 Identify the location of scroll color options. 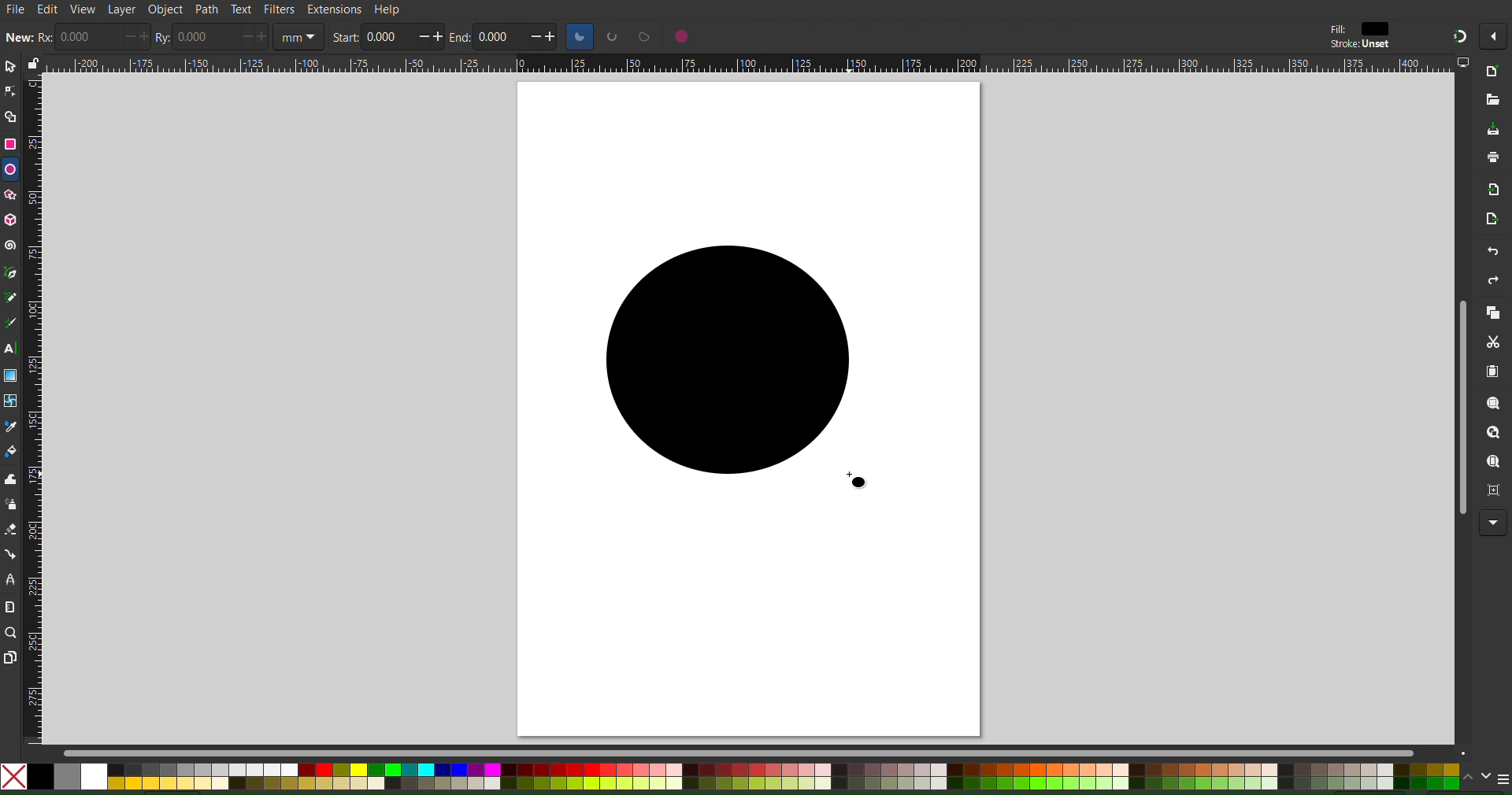
(1477, 781).